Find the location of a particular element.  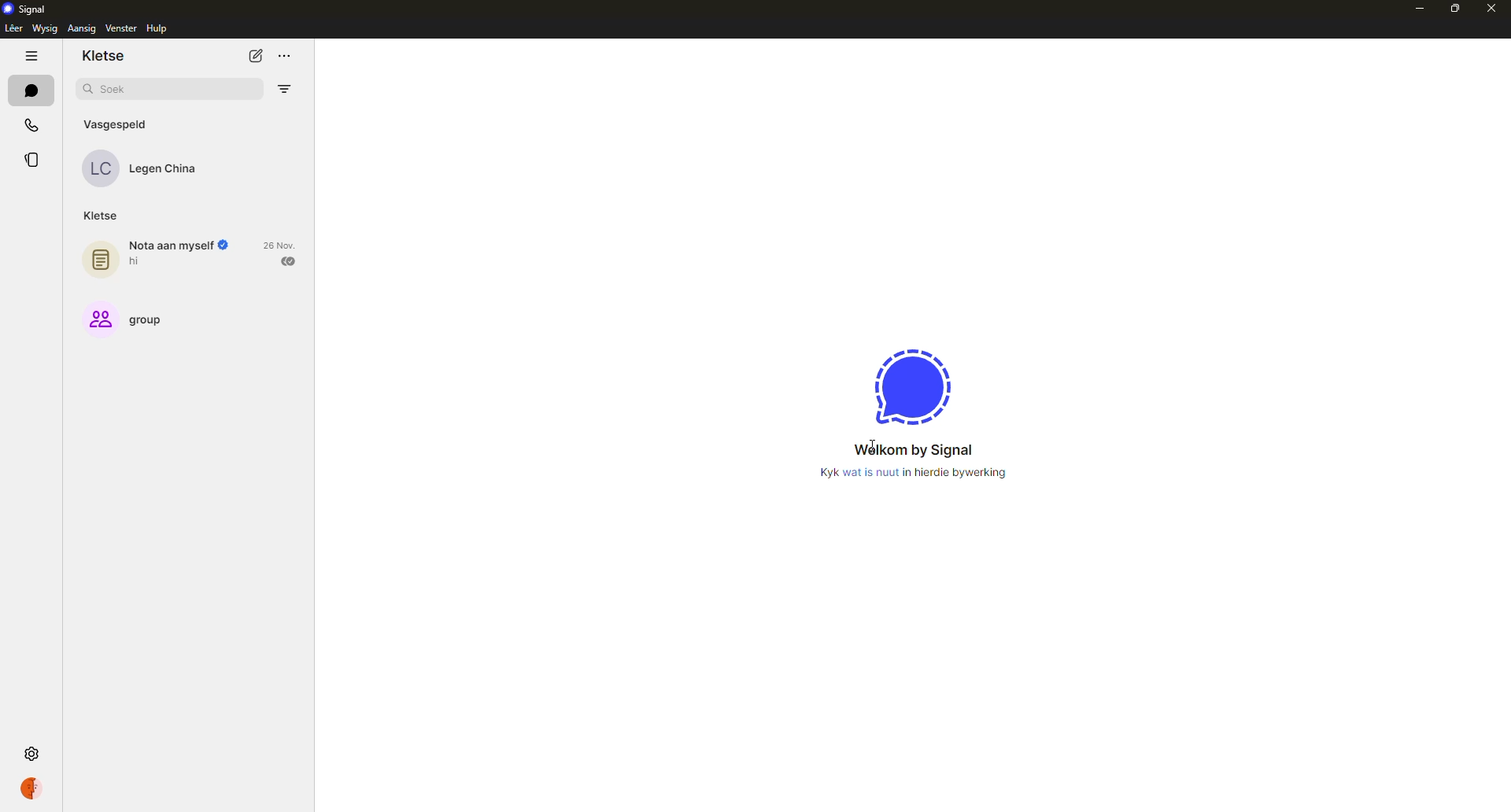

wysig is located at coordinates (45, 28).